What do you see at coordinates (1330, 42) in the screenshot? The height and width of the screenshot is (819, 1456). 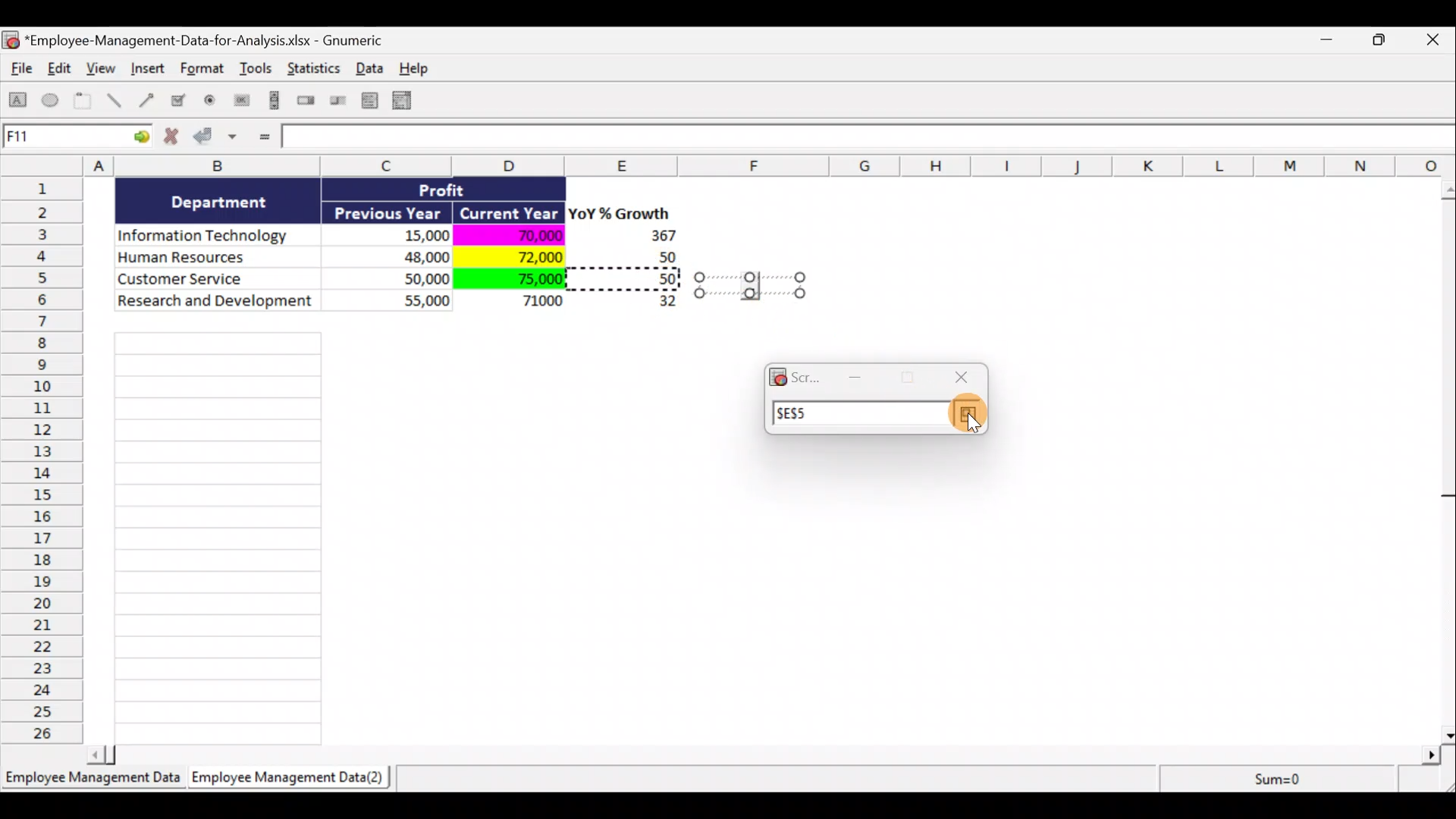 I see `Minimise` at bounding box center [1330, 42].